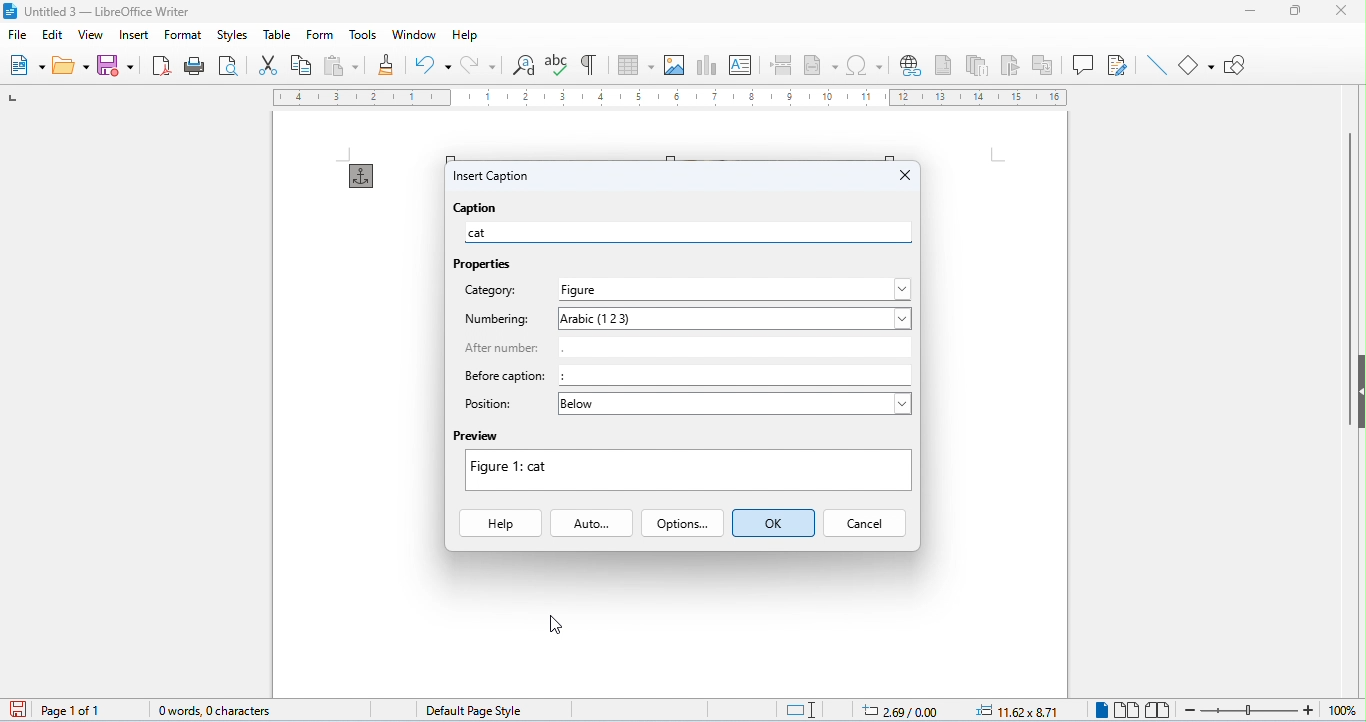  What do you see at coordinates (388, 64) in the screenshot?
I see `clone` at bounding box center [388, 64].